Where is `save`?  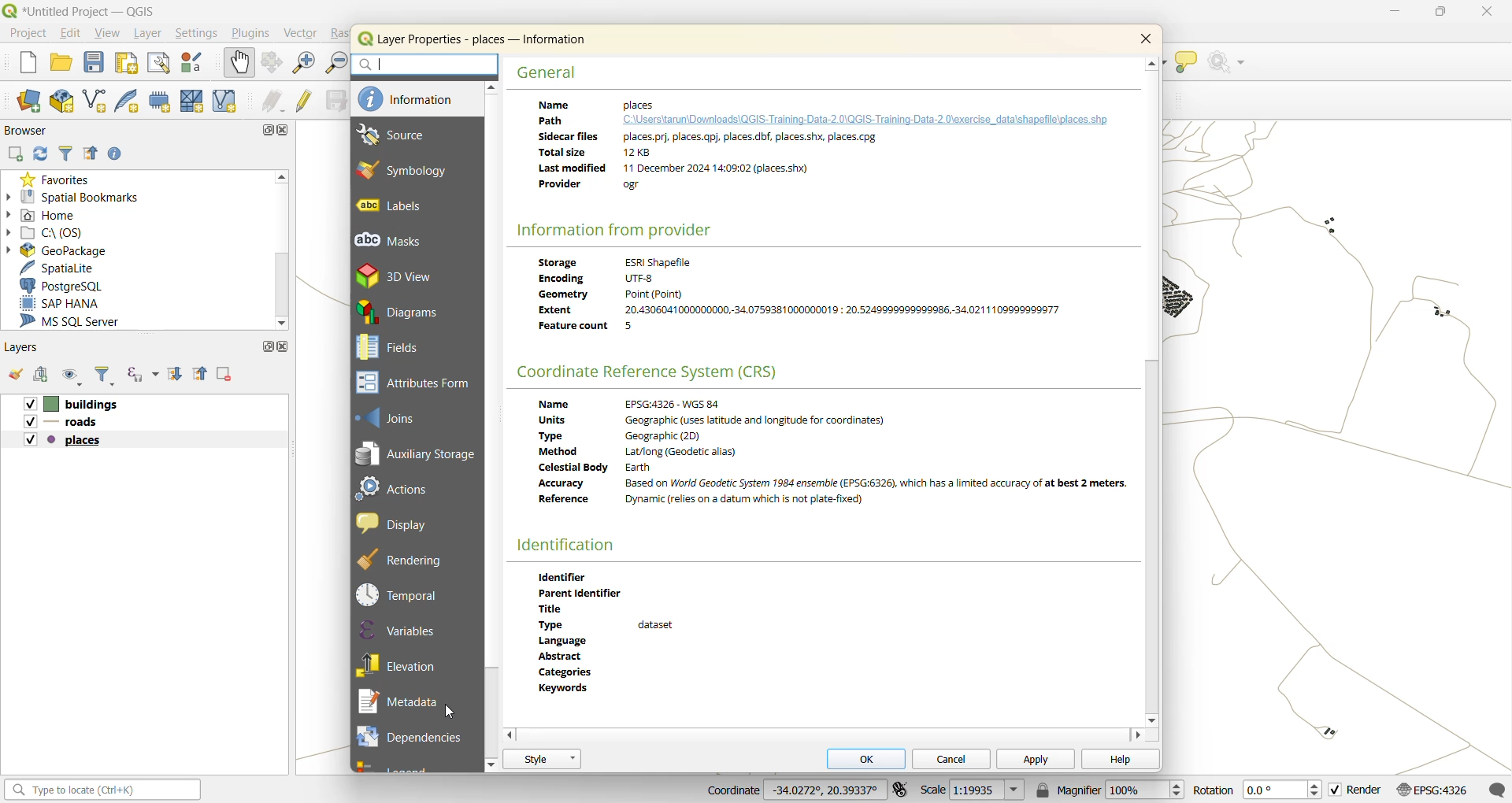
save is located at coordinates (95, 66).